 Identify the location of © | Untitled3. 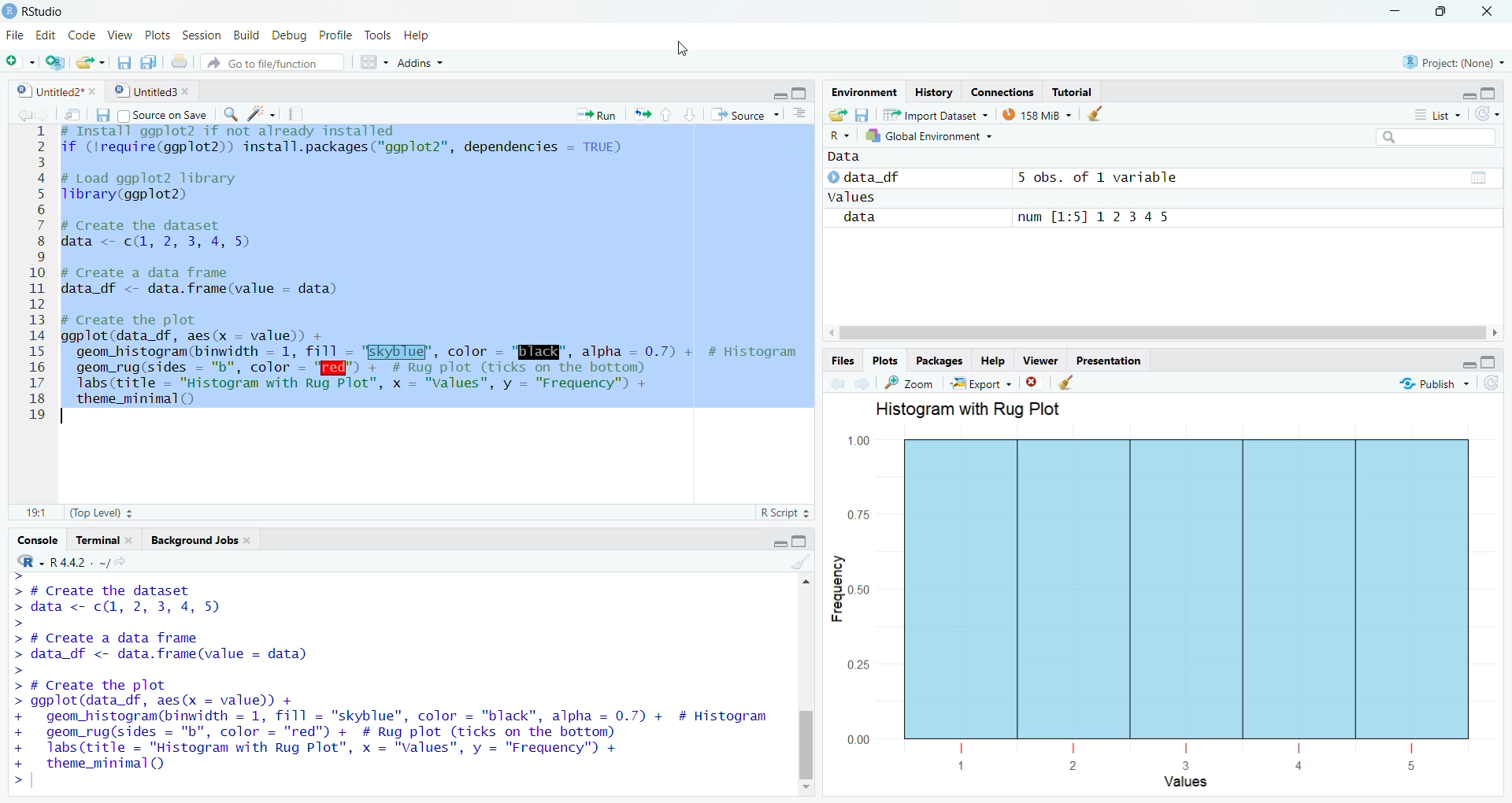
(139, 90).